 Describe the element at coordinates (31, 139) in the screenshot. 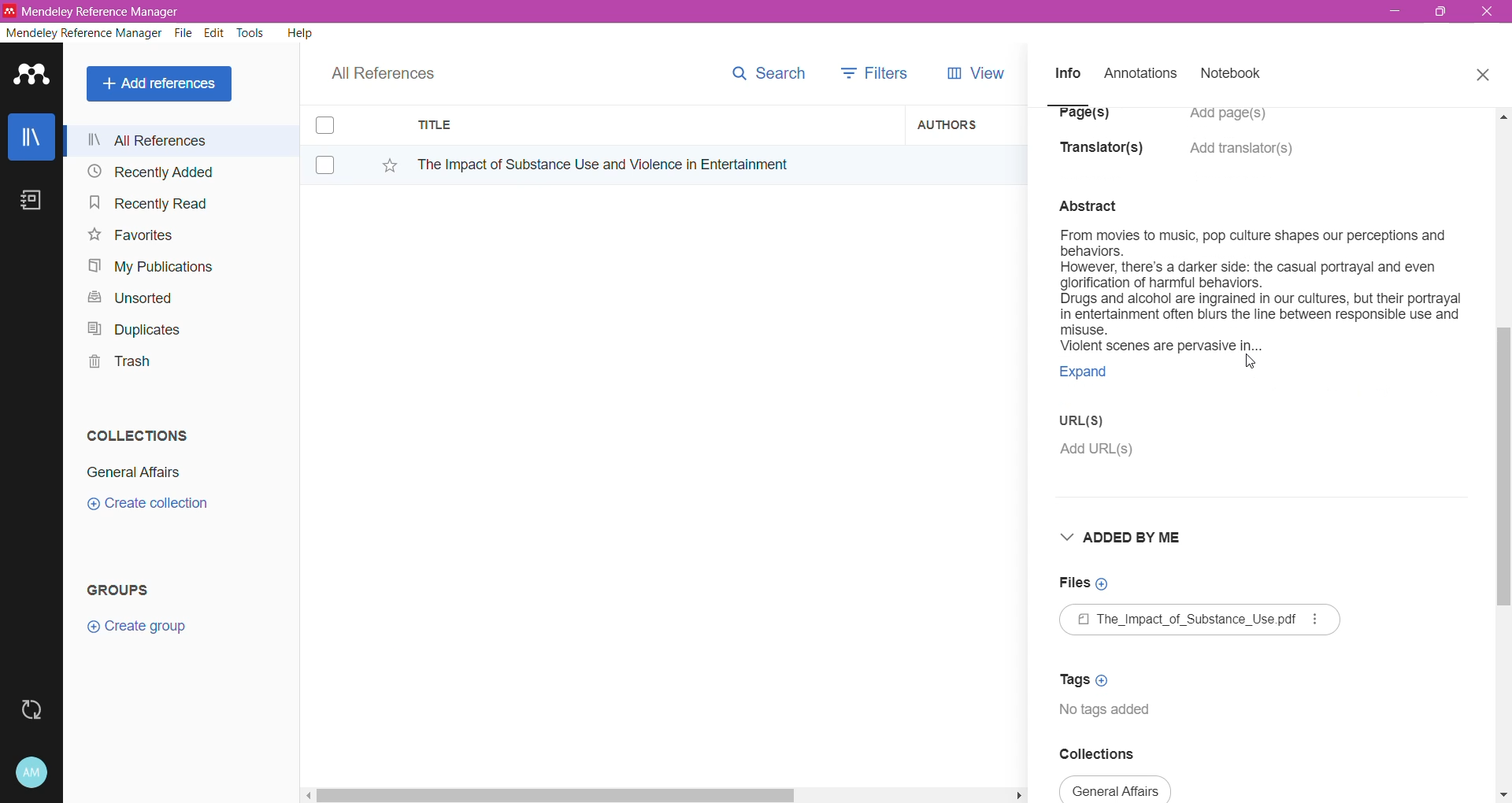

I see `Library` at that location.